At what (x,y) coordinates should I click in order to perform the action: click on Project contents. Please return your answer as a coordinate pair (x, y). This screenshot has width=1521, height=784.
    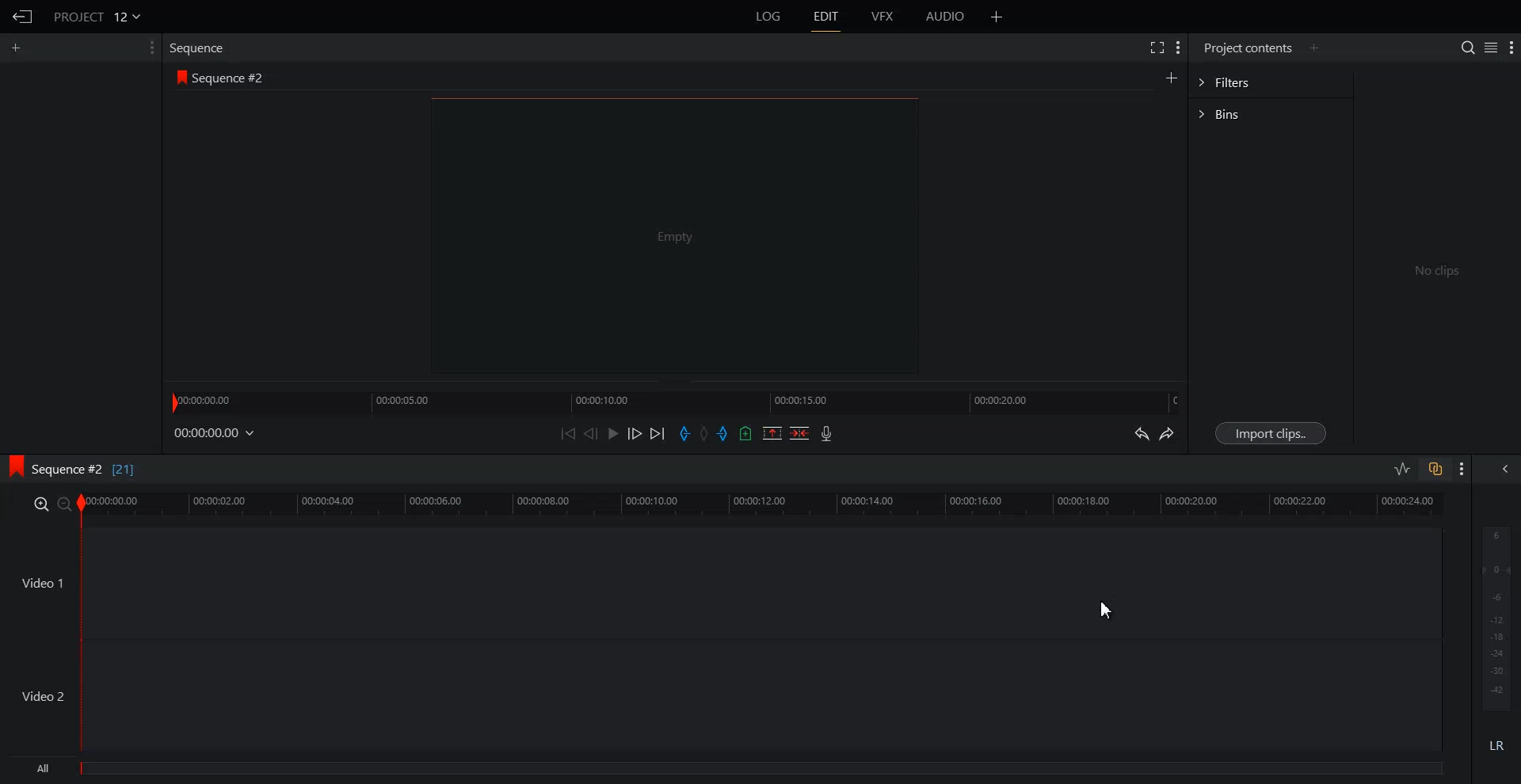
    Looking at the image, I should click on (1245, 48).